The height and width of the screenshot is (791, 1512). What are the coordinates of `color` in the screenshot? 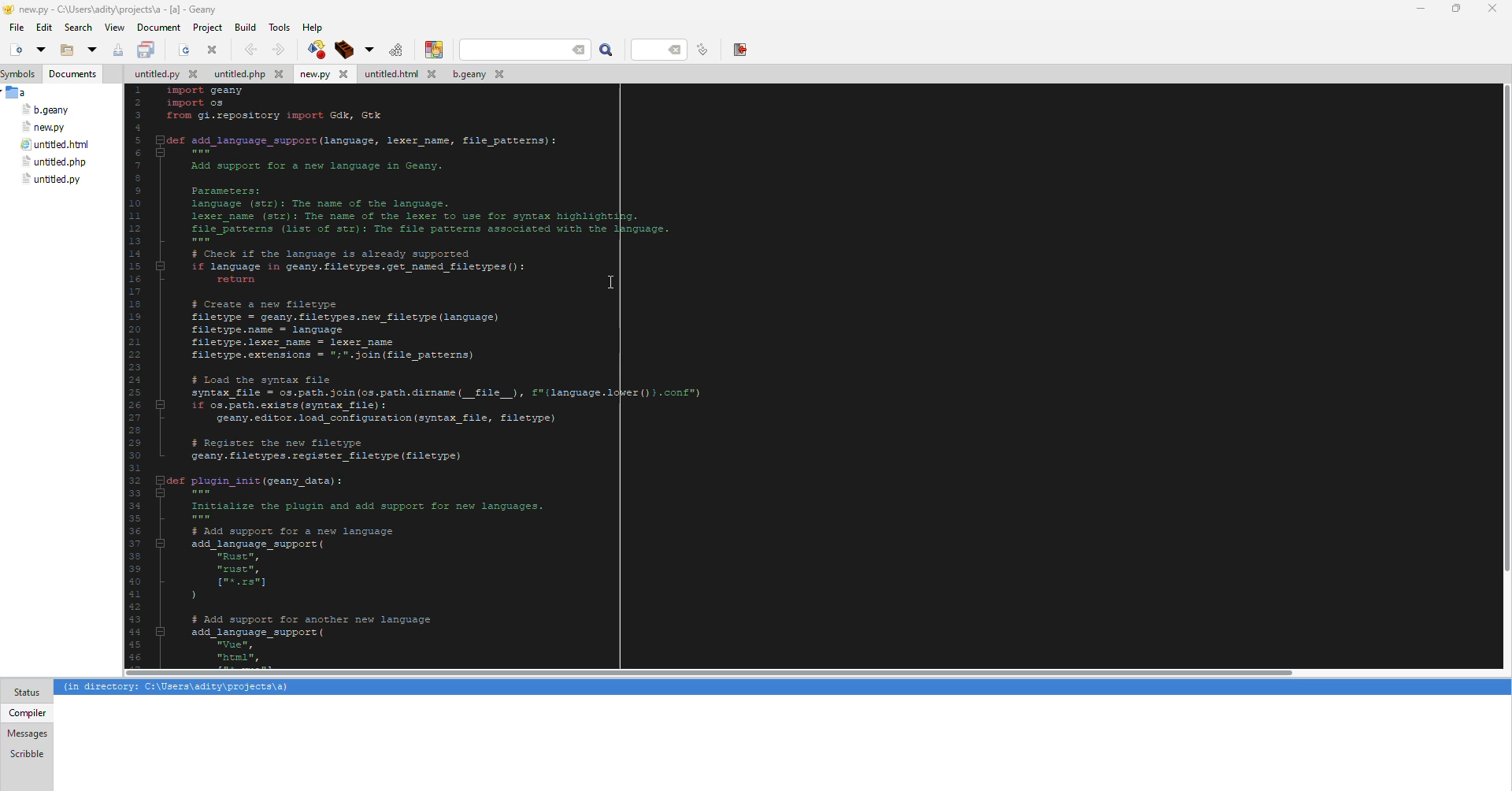 It's located at (434, 50).